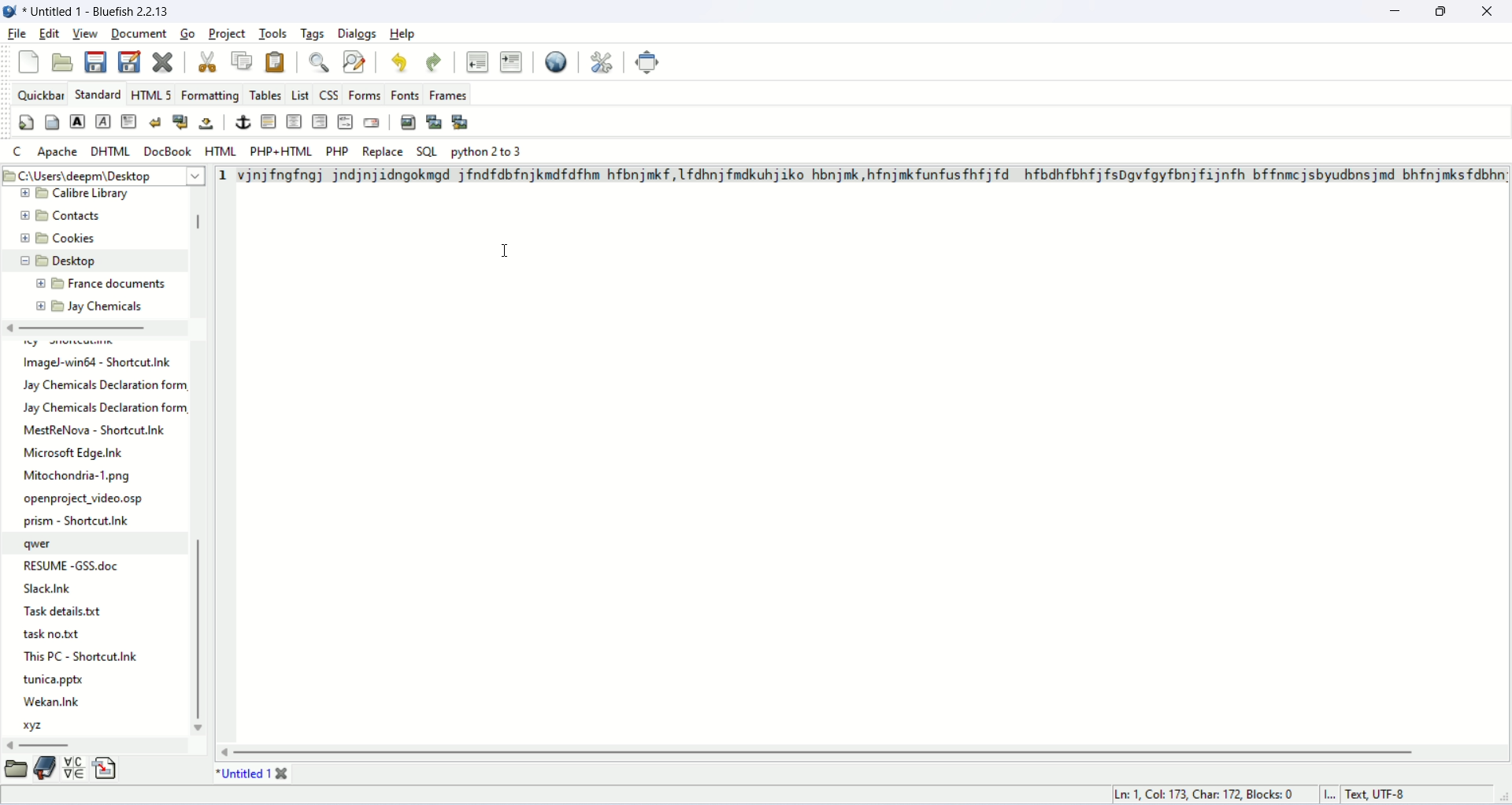 This screenshot has width=1512, height=805. What do you see at coordinates (358, 35) in the screenshot?
I see `dialogs` at bounding box center [358, 35].